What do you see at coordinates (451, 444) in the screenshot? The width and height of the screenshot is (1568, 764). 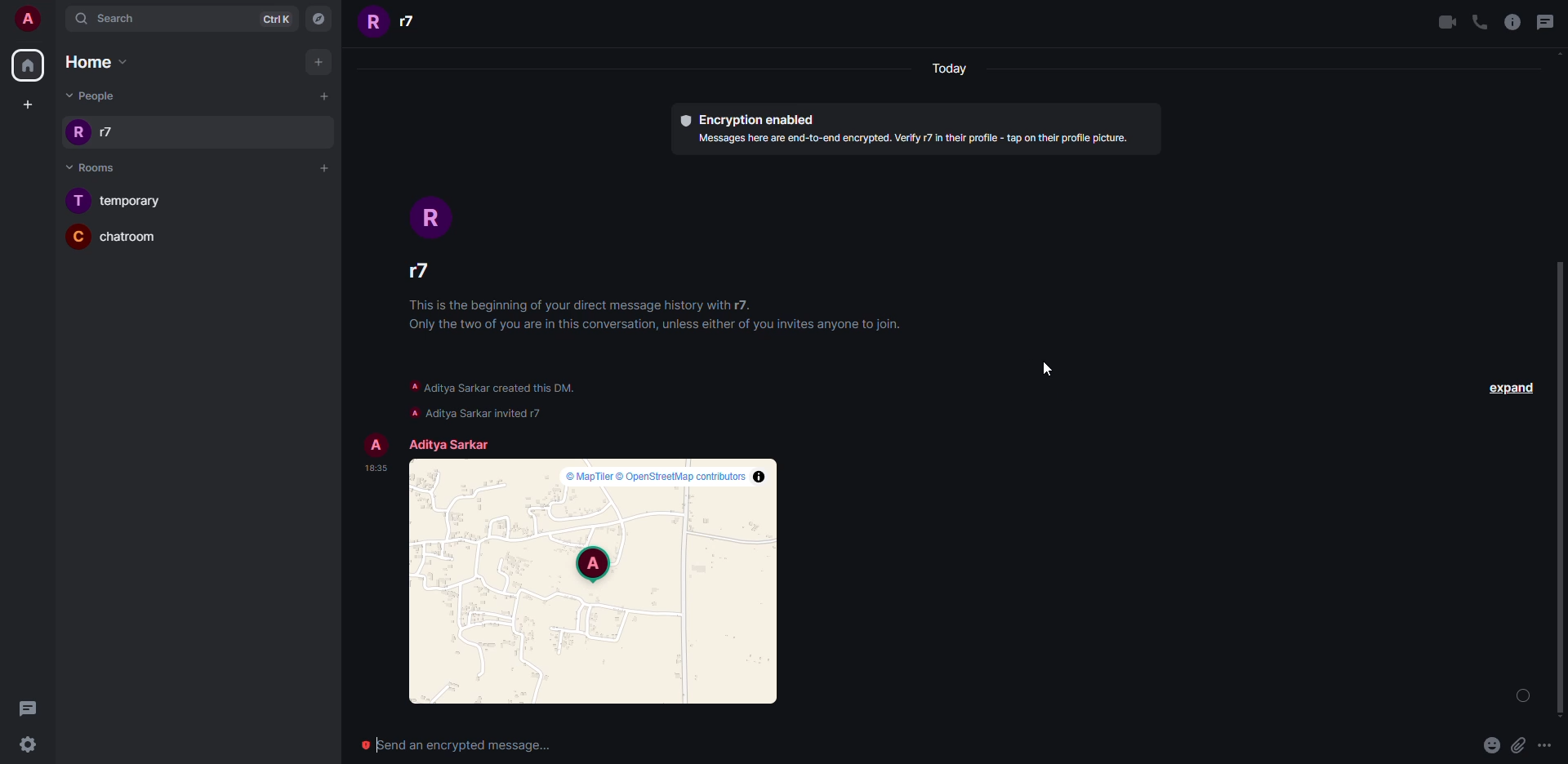 I see `account` at bounding box center [451, 444].